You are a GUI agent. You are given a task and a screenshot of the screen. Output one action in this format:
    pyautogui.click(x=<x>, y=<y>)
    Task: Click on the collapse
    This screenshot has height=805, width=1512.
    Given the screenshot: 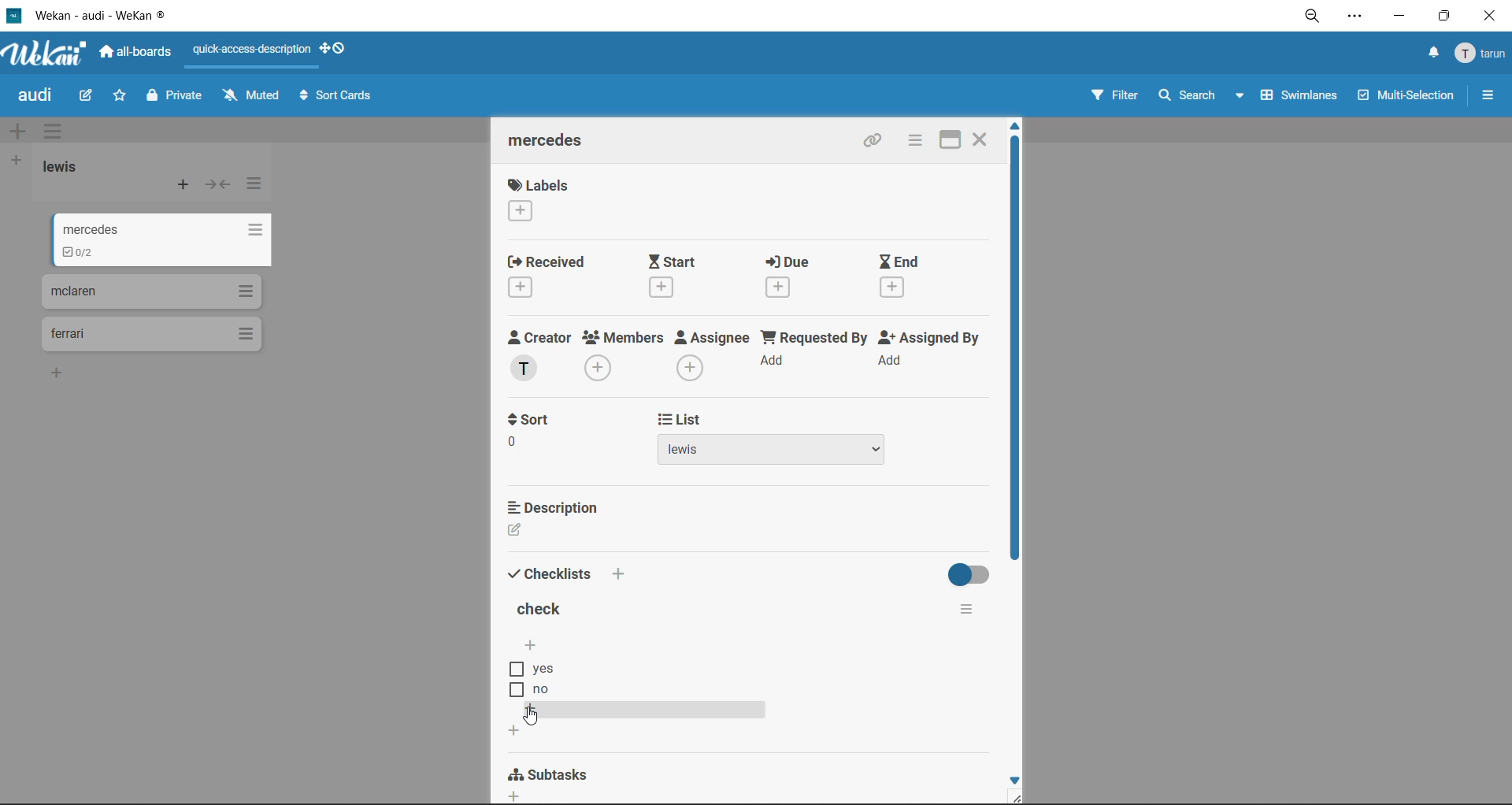 What is the action you would take?
    pyautogui.click(x=217, y=185)
    